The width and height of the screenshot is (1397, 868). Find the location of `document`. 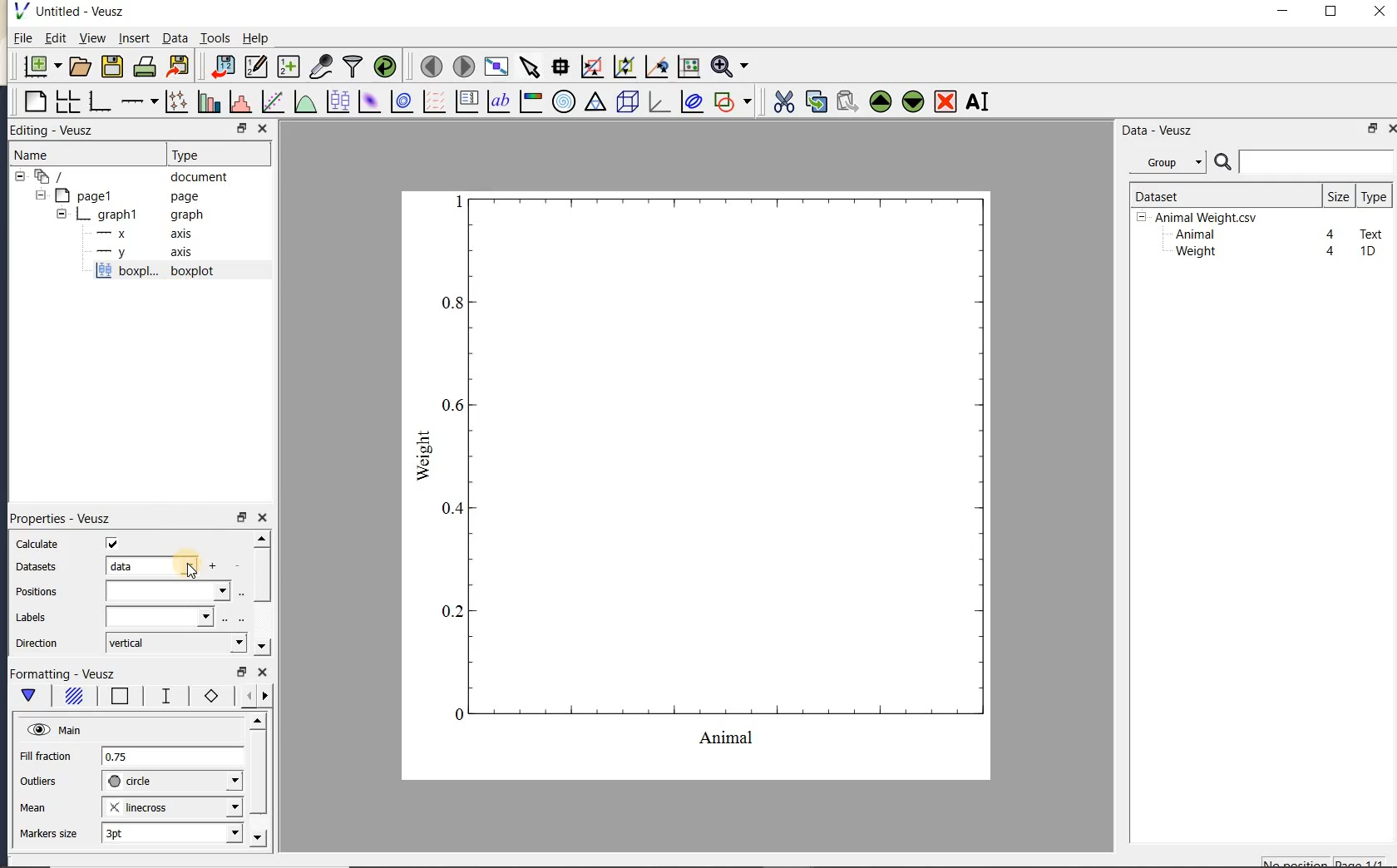

document is located at coordinates (126, 177).